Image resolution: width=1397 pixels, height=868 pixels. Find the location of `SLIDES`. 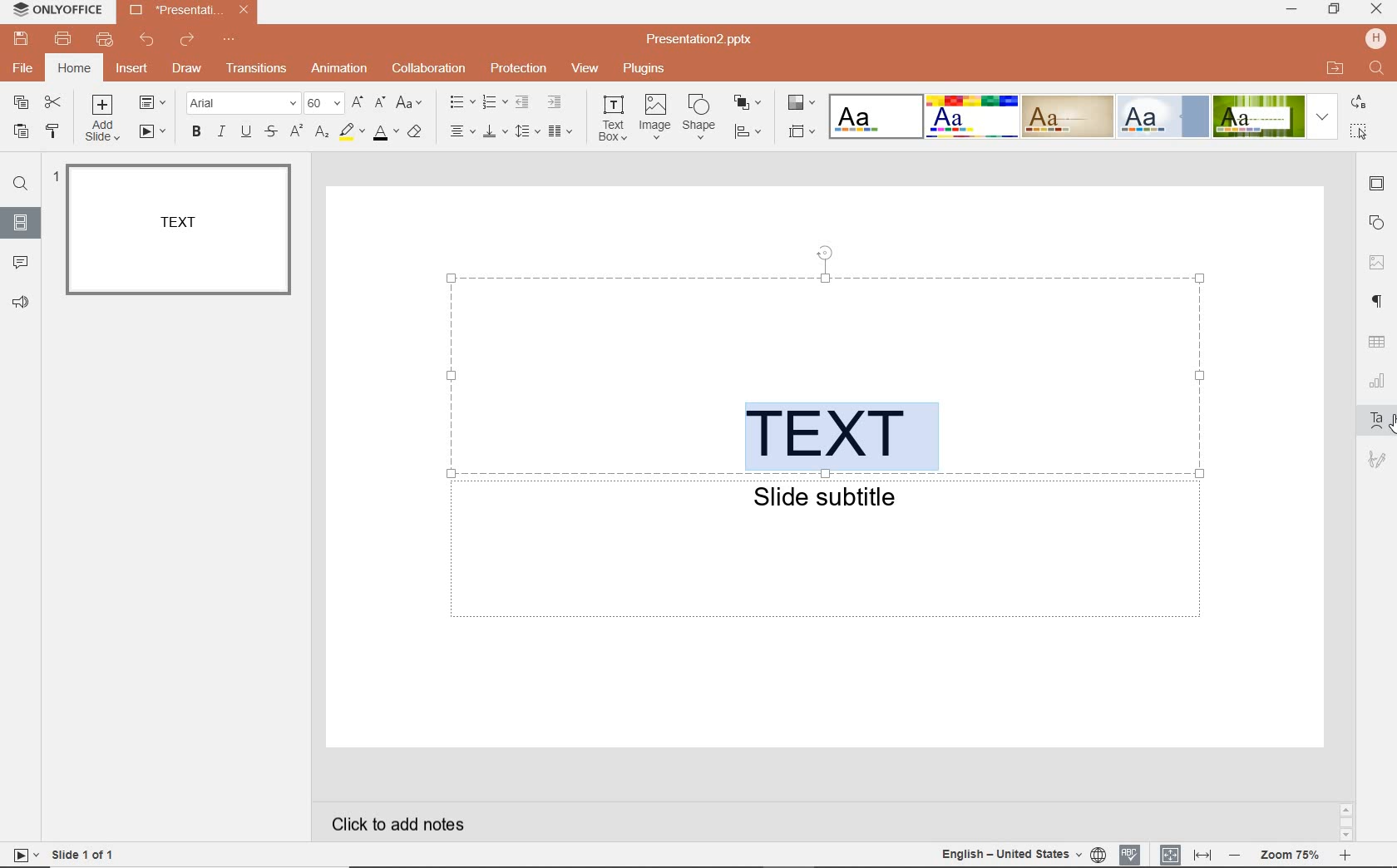

SLIDES is located at coordinates (23, 224).